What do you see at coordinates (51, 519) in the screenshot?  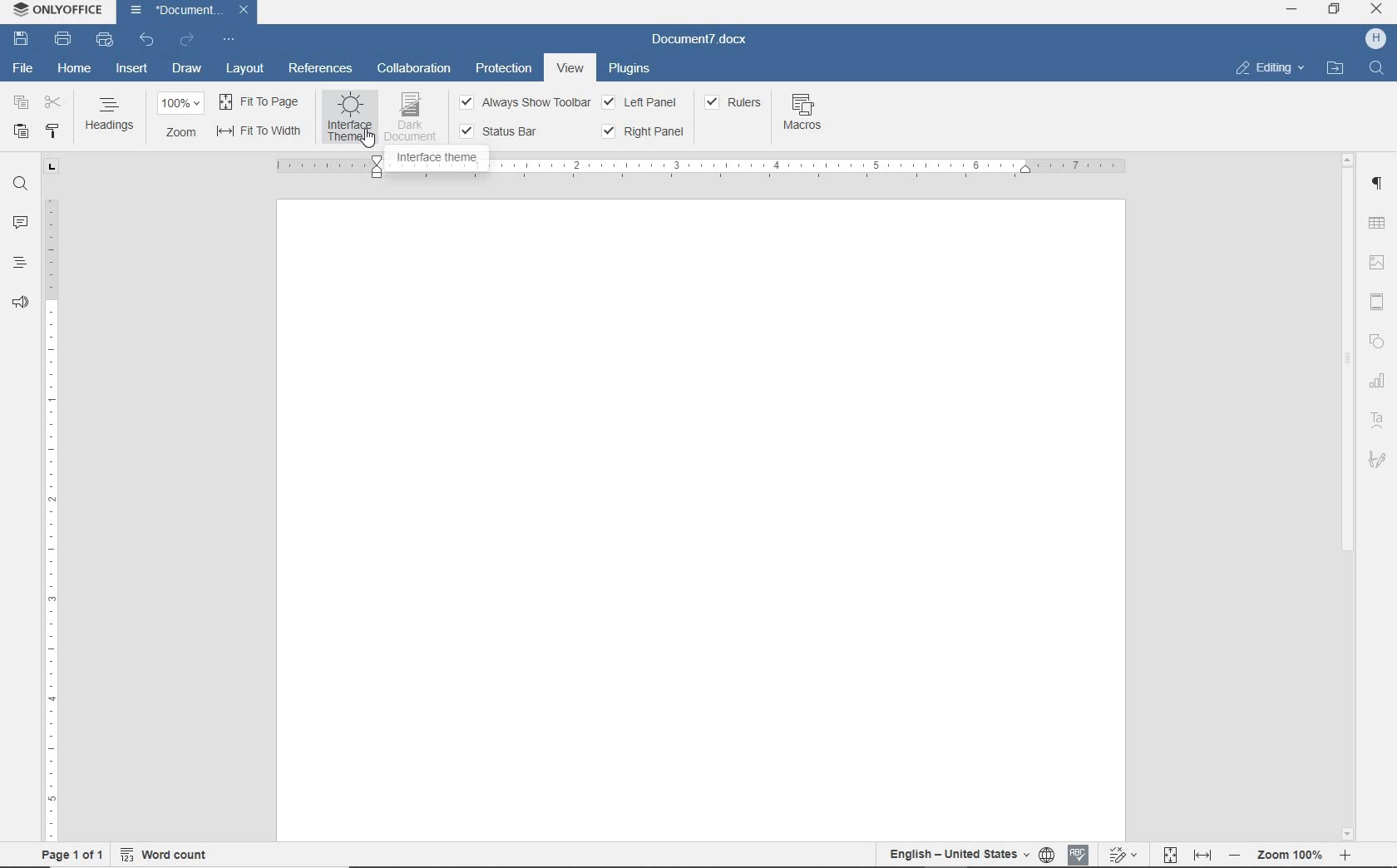 I see `RULER` at bounding box center [51, 519].